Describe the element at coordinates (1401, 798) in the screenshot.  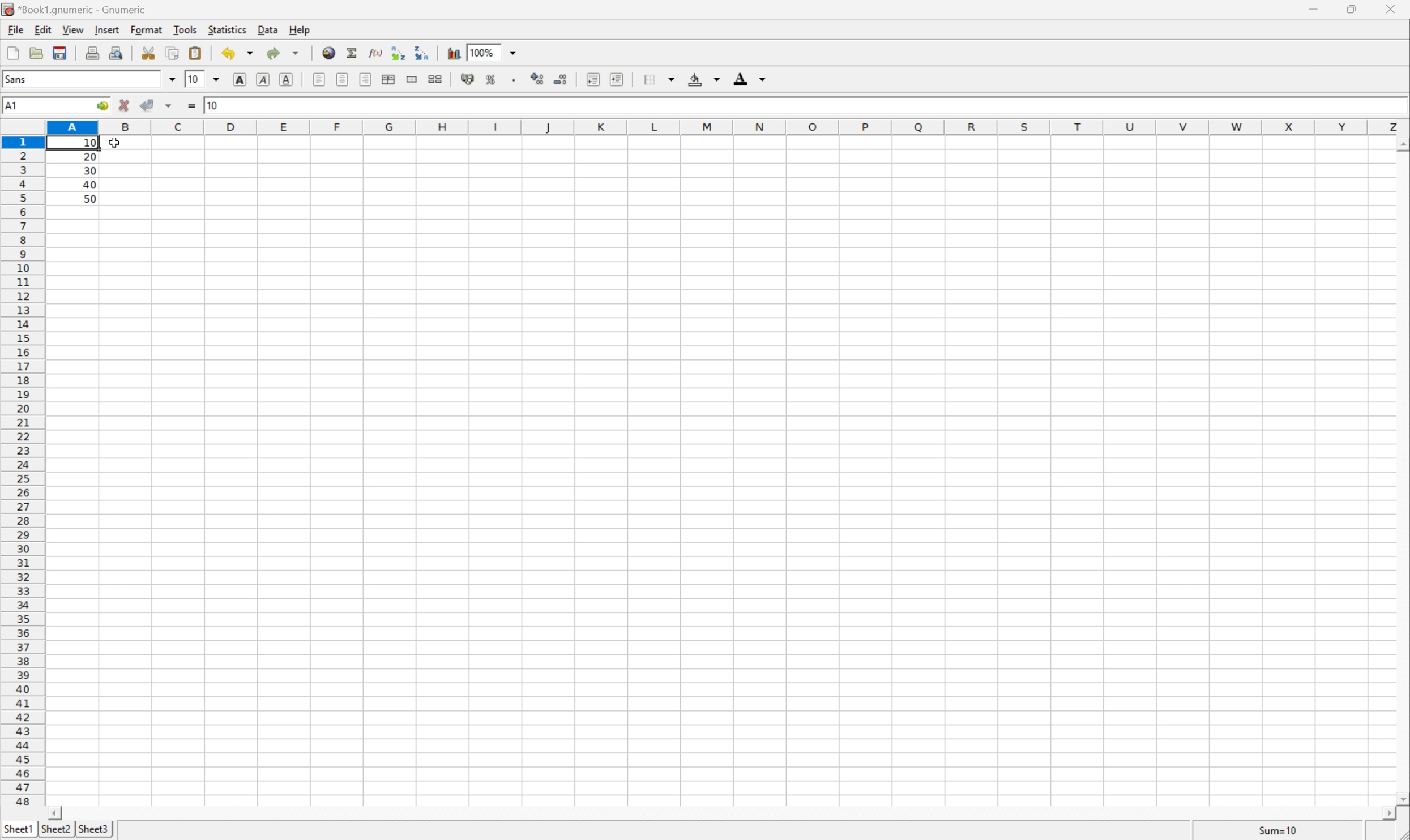
I see `Scroll Down` at that location.